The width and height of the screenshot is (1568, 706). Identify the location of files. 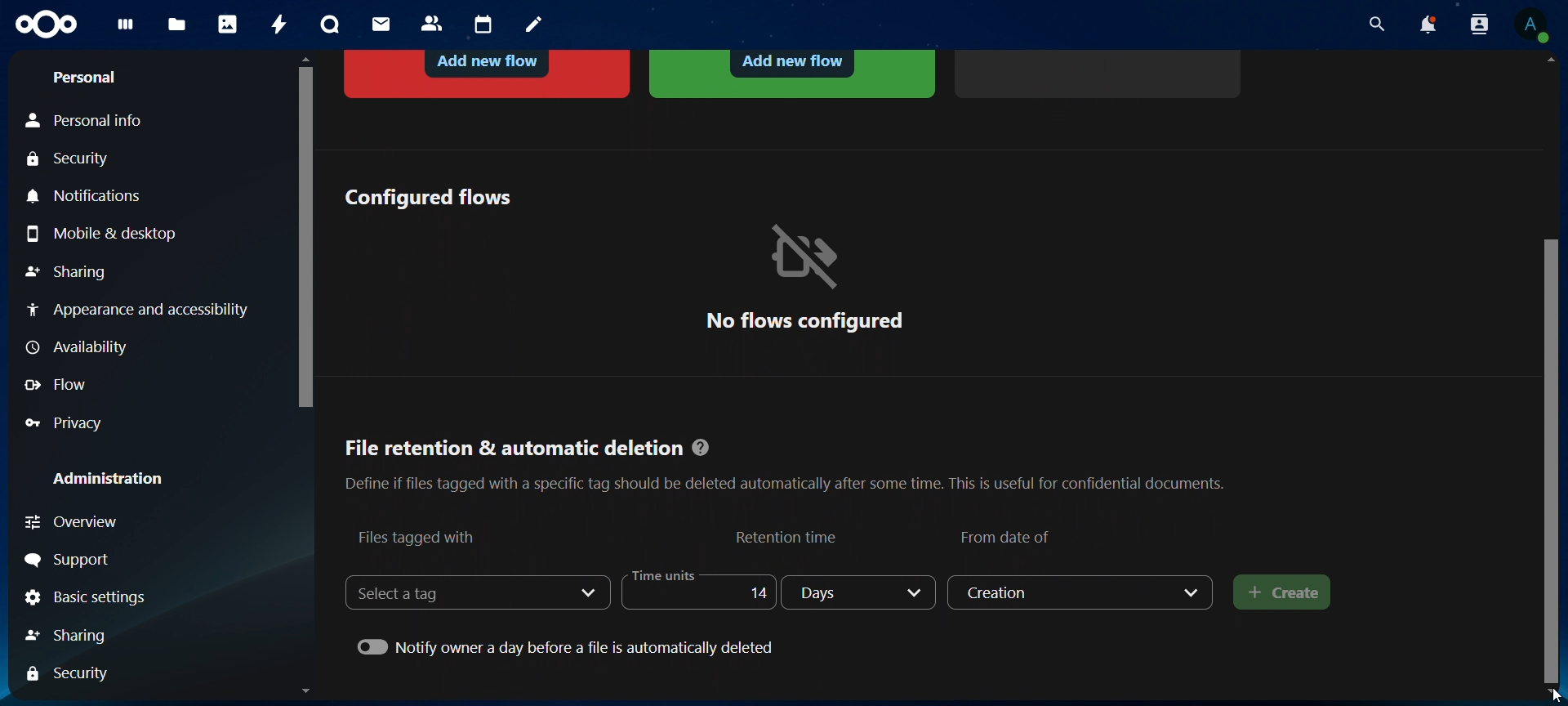
(177, 26).